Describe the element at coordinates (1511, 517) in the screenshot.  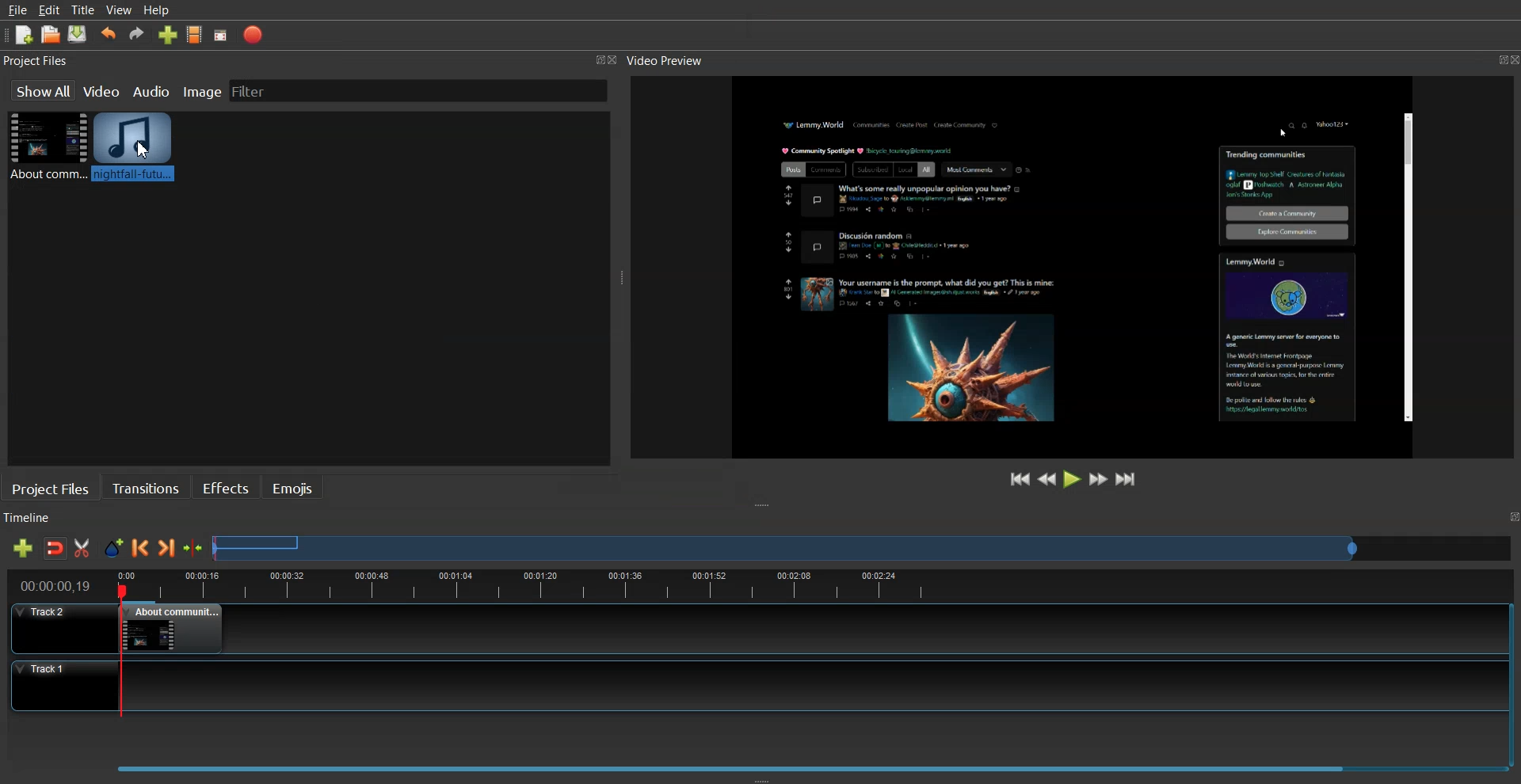
I see `Maximize` at that location.